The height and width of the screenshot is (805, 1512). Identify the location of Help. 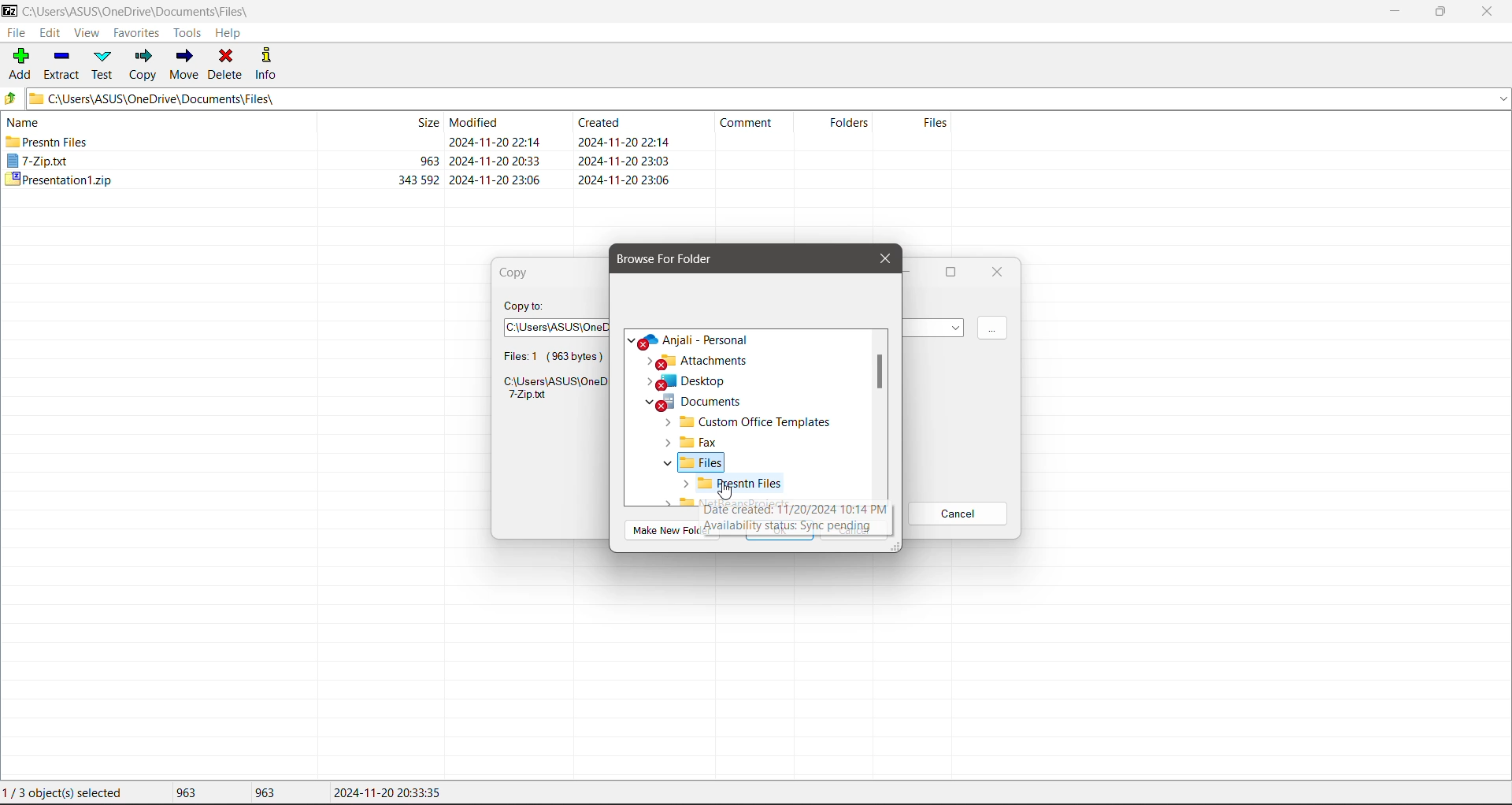
(228, 33).